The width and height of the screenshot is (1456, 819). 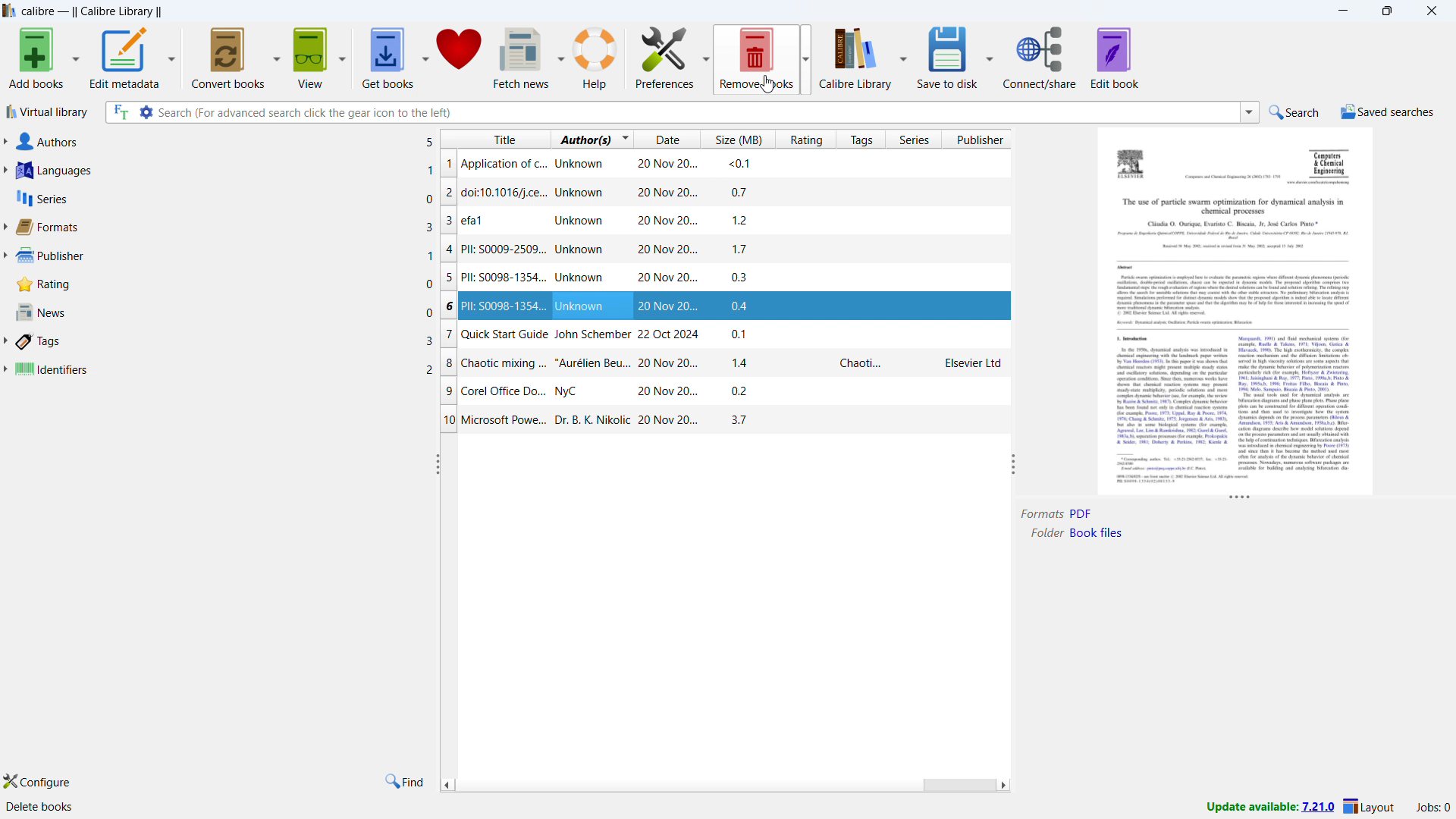 What do you see at coordinates (388, 56) in the screenshot?
I see `get books` at bounding box center [388, 56].